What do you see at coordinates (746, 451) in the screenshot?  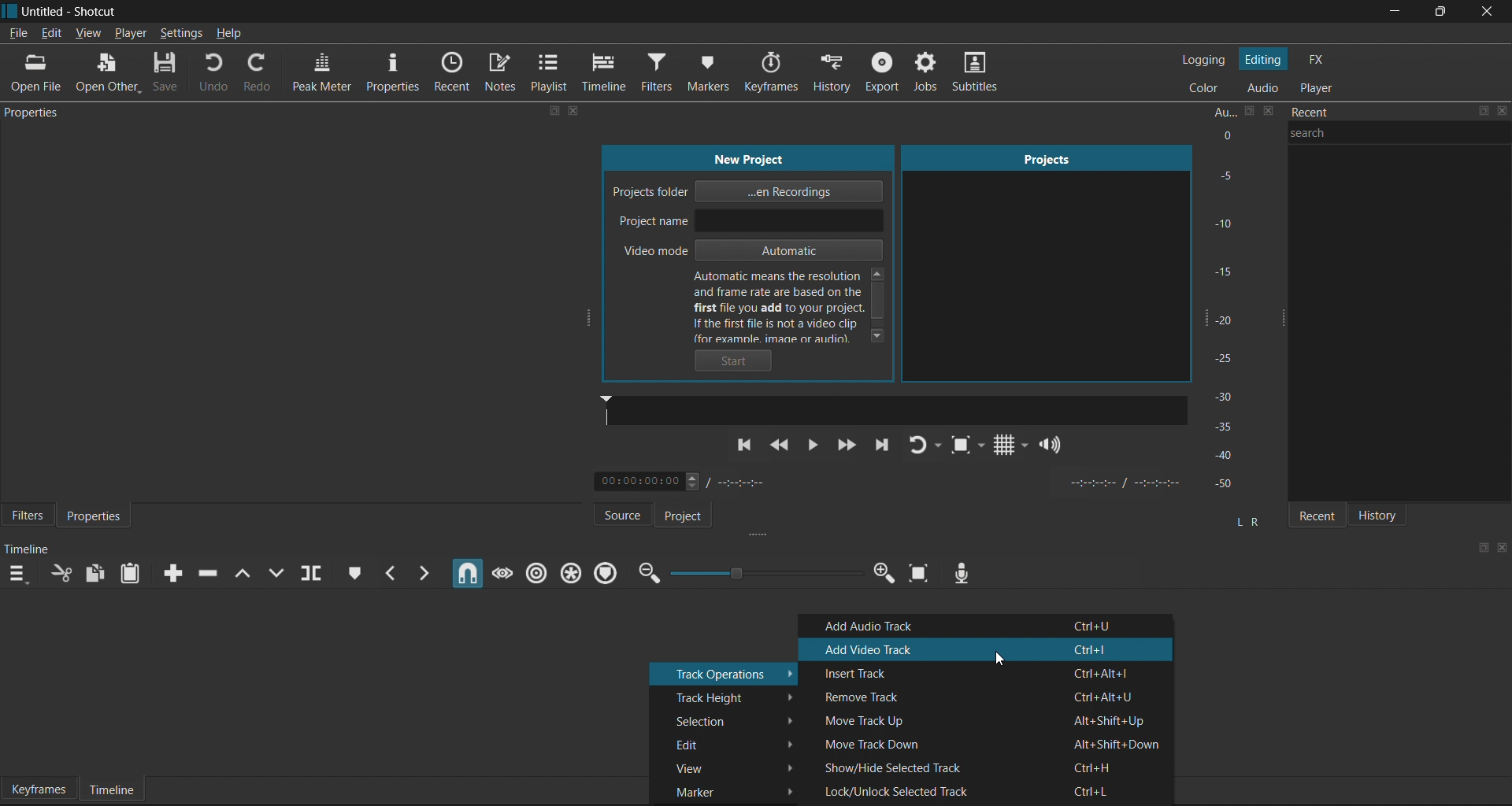 I see `Previous` at bounding box center [746, 451].